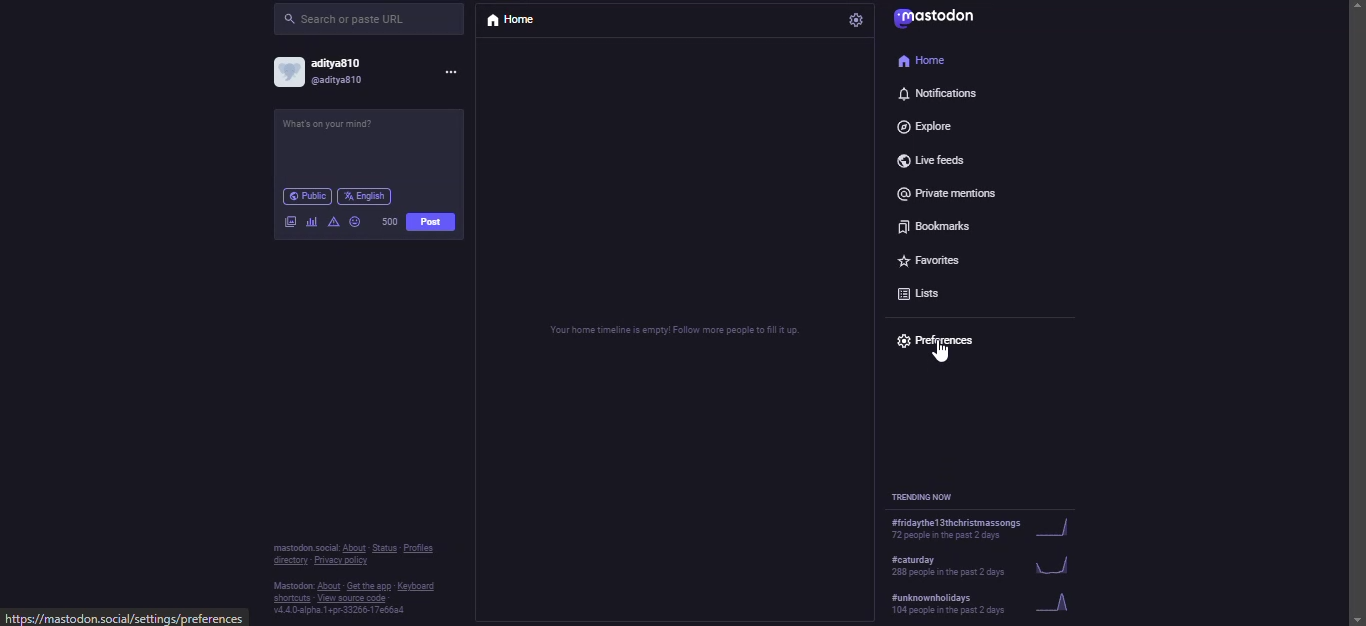 The height and width of the screenshot is (626, 1366). What do you see at coordinates (365, 196) in the screenshot?
I see `english` at bounding box center [365, 196].